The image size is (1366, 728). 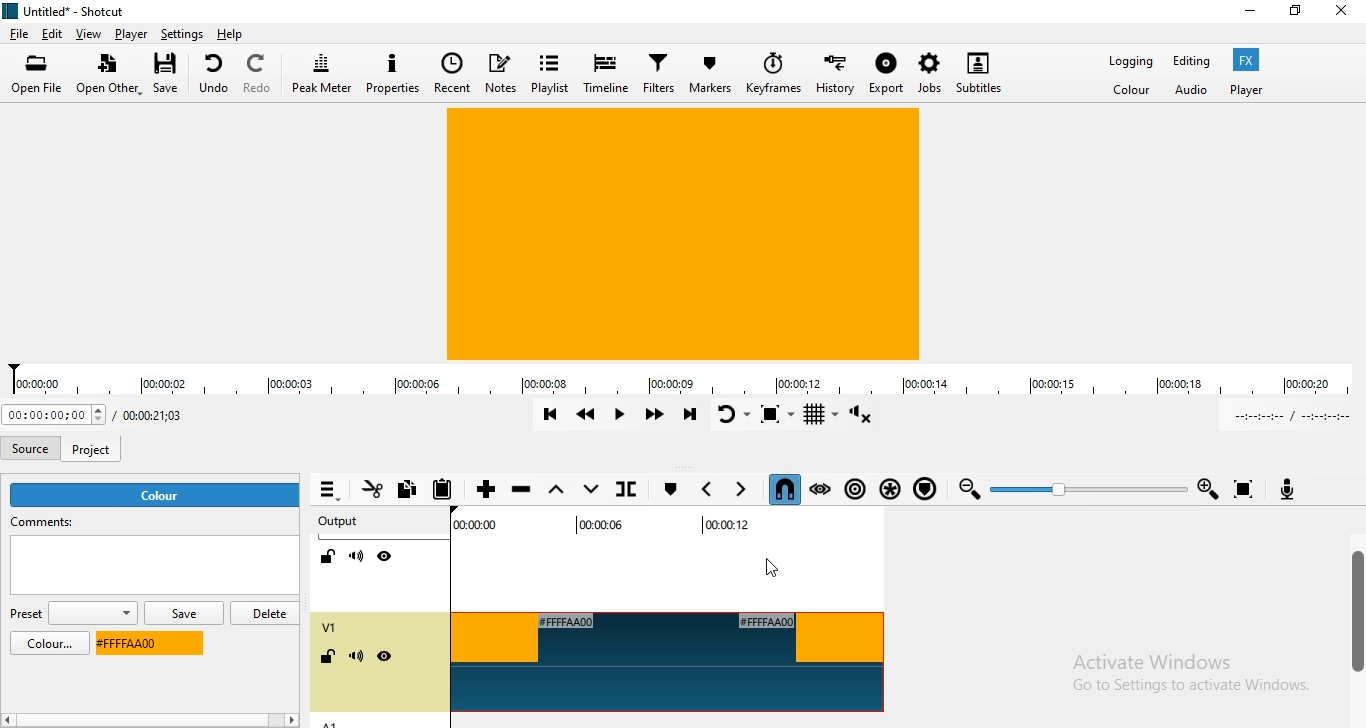 I want to click on Timeline, so click(x=605, y=75).